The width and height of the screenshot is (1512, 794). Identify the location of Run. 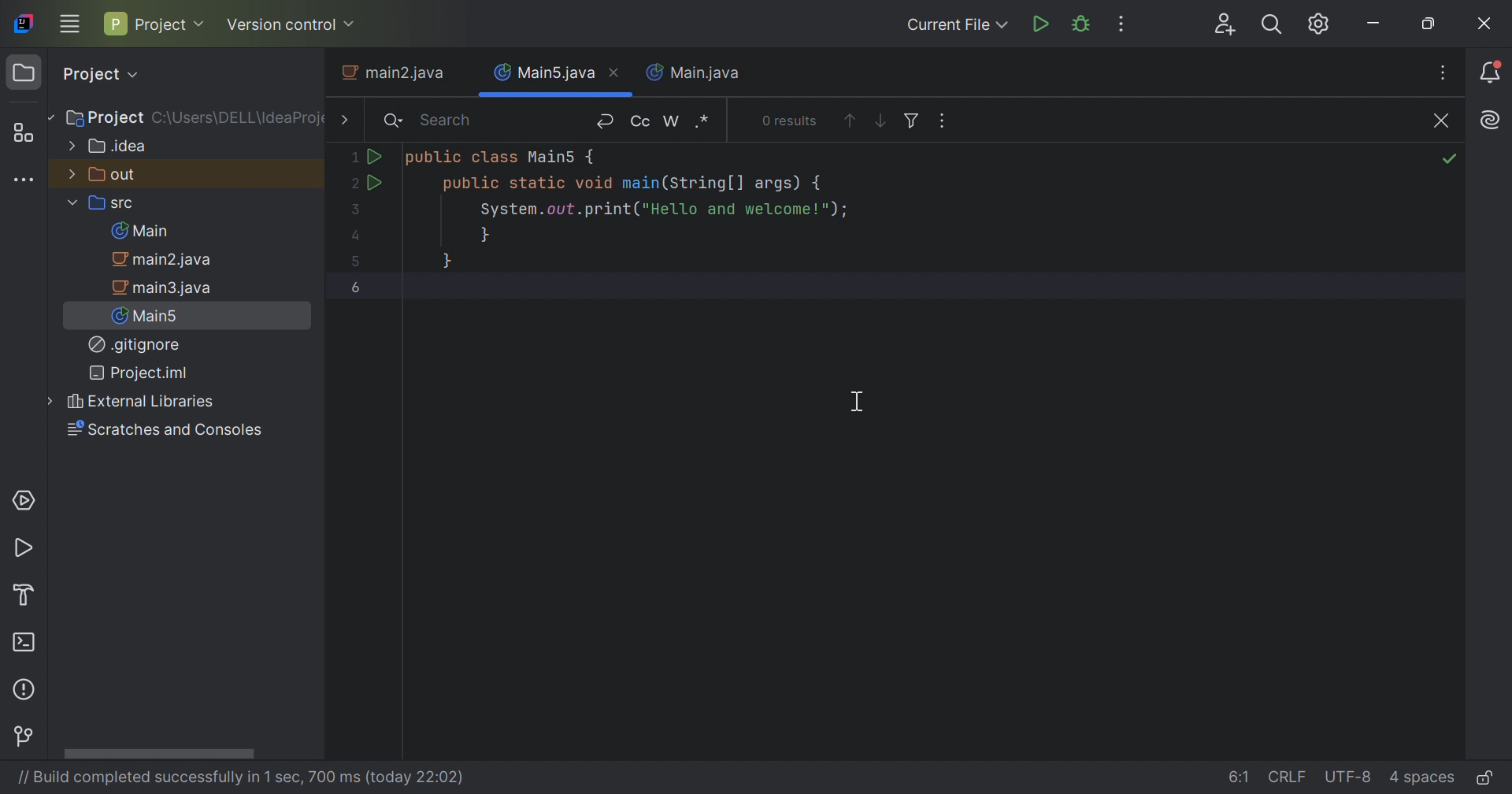
(27, 550).